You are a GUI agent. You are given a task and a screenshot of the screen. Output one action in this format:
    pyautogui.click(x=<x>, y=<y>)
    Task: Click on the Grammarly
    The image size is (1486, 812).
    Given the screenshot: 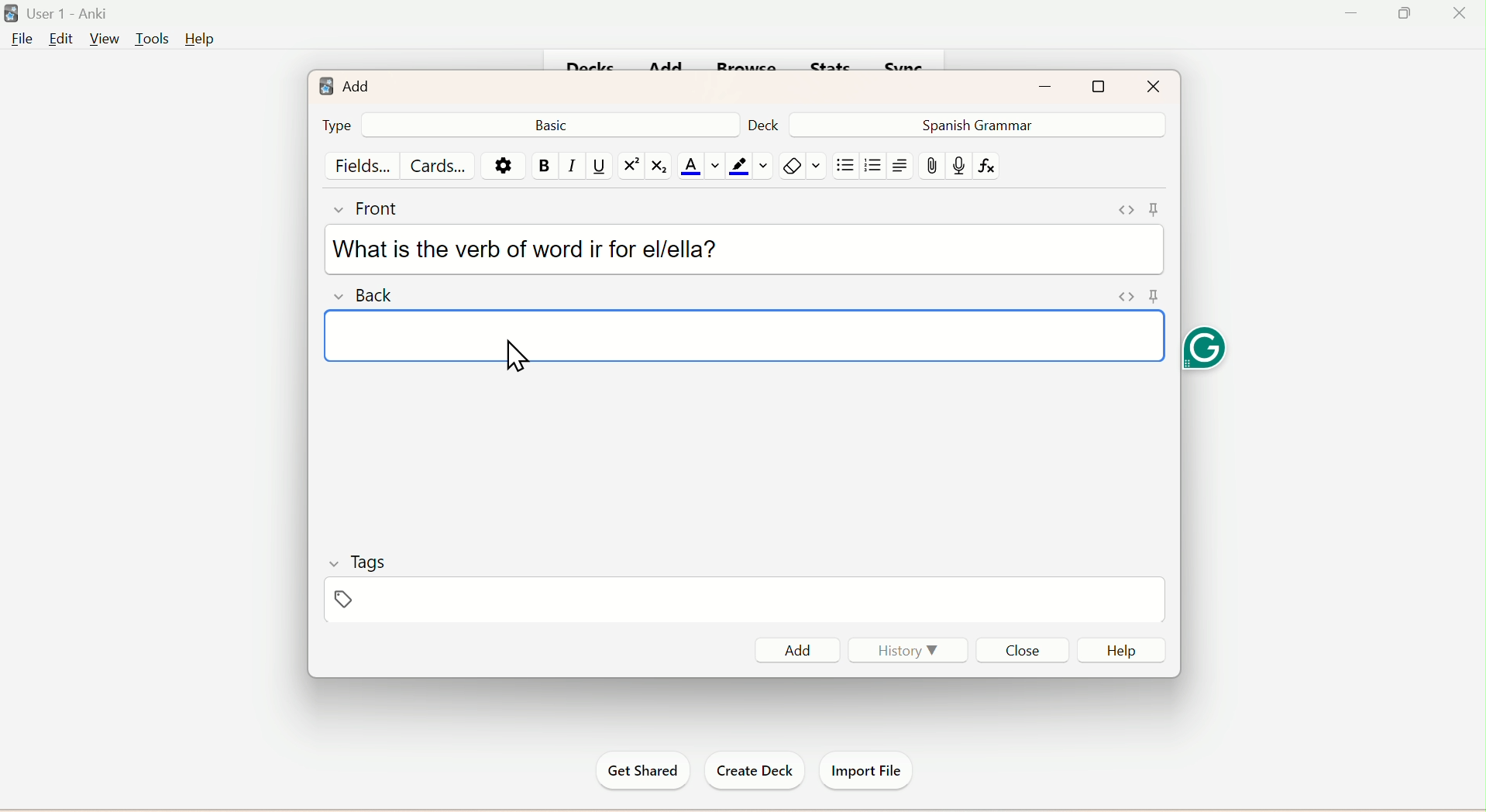 What is the action you would take?
    pyautogui.click(x=1210, y=343)
    